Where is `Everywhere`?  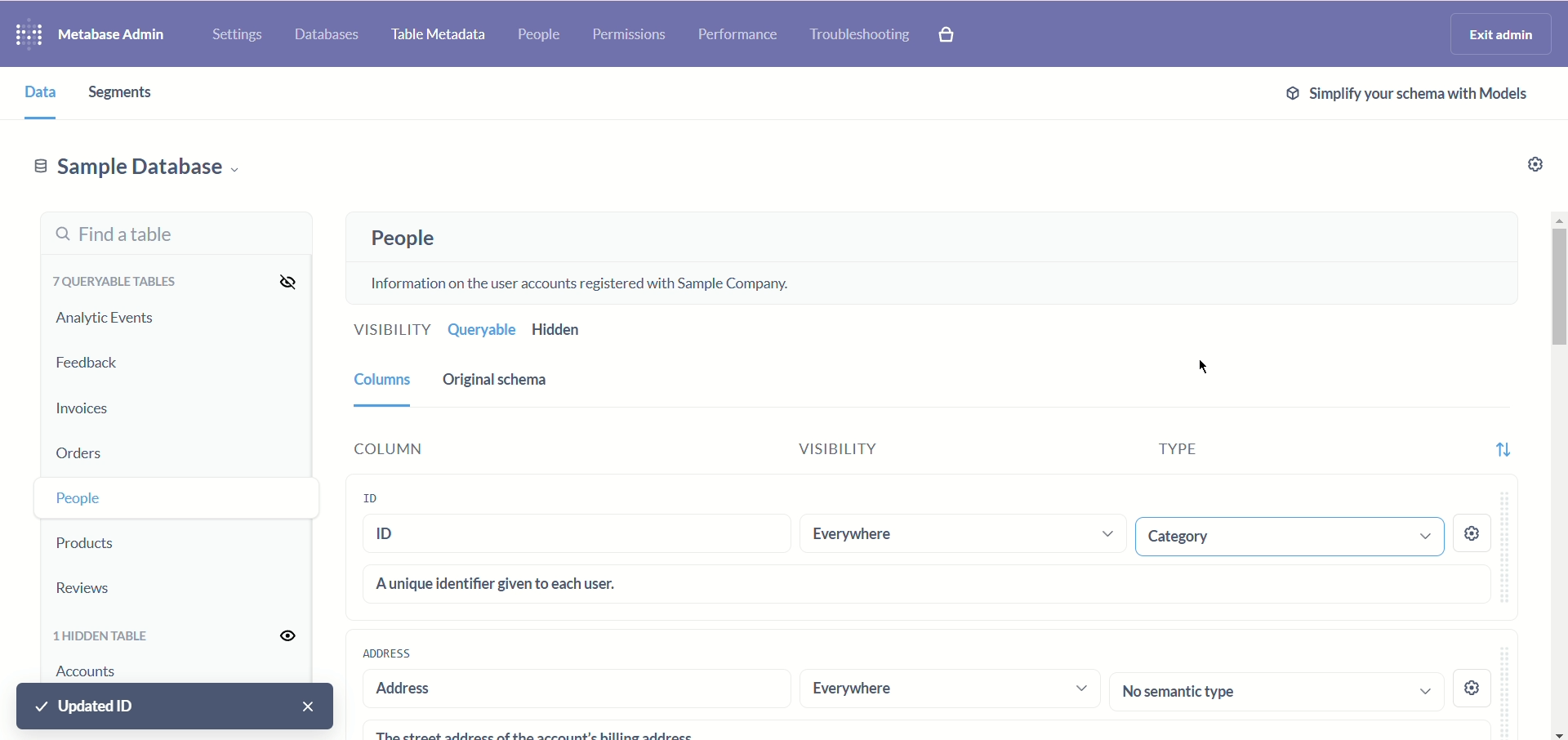 Everywhere is located at coordinates (959, 534).